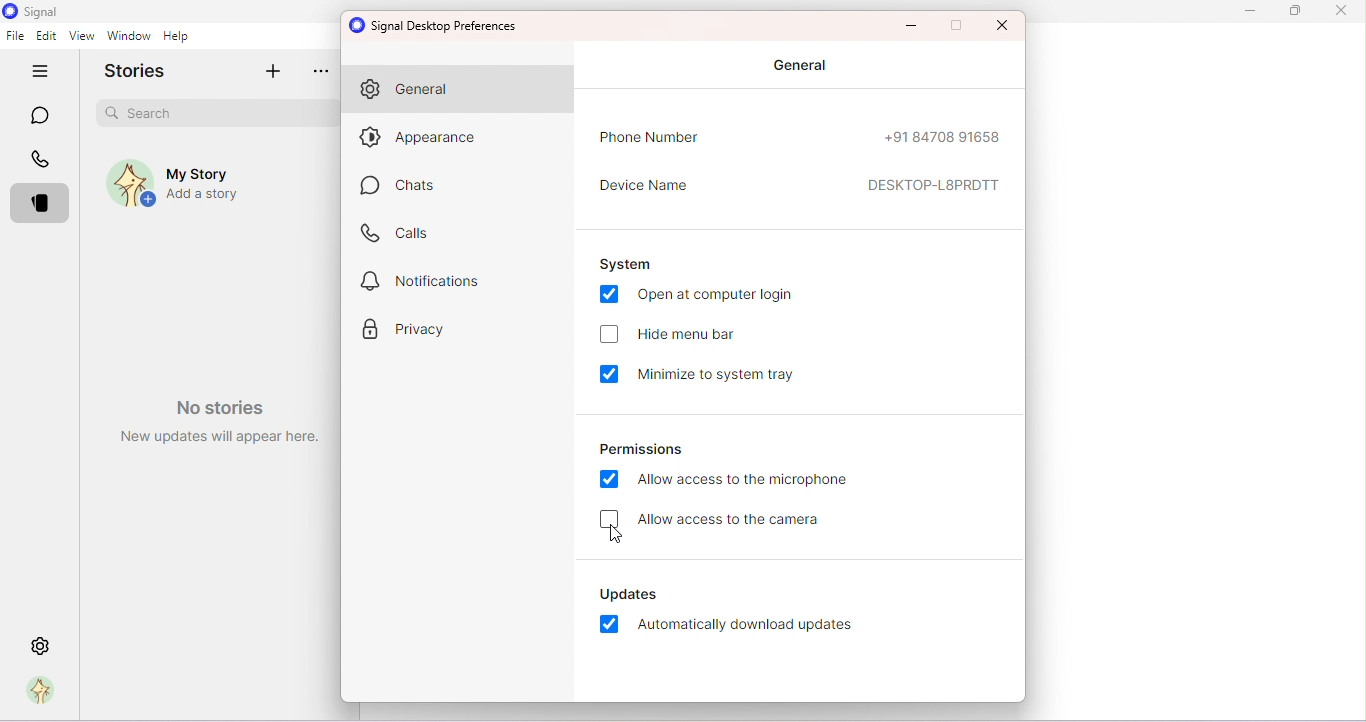 The height and width of the screenshot is (722, 1366). I want to click on Signal desktop preferences, so click(437, 23).